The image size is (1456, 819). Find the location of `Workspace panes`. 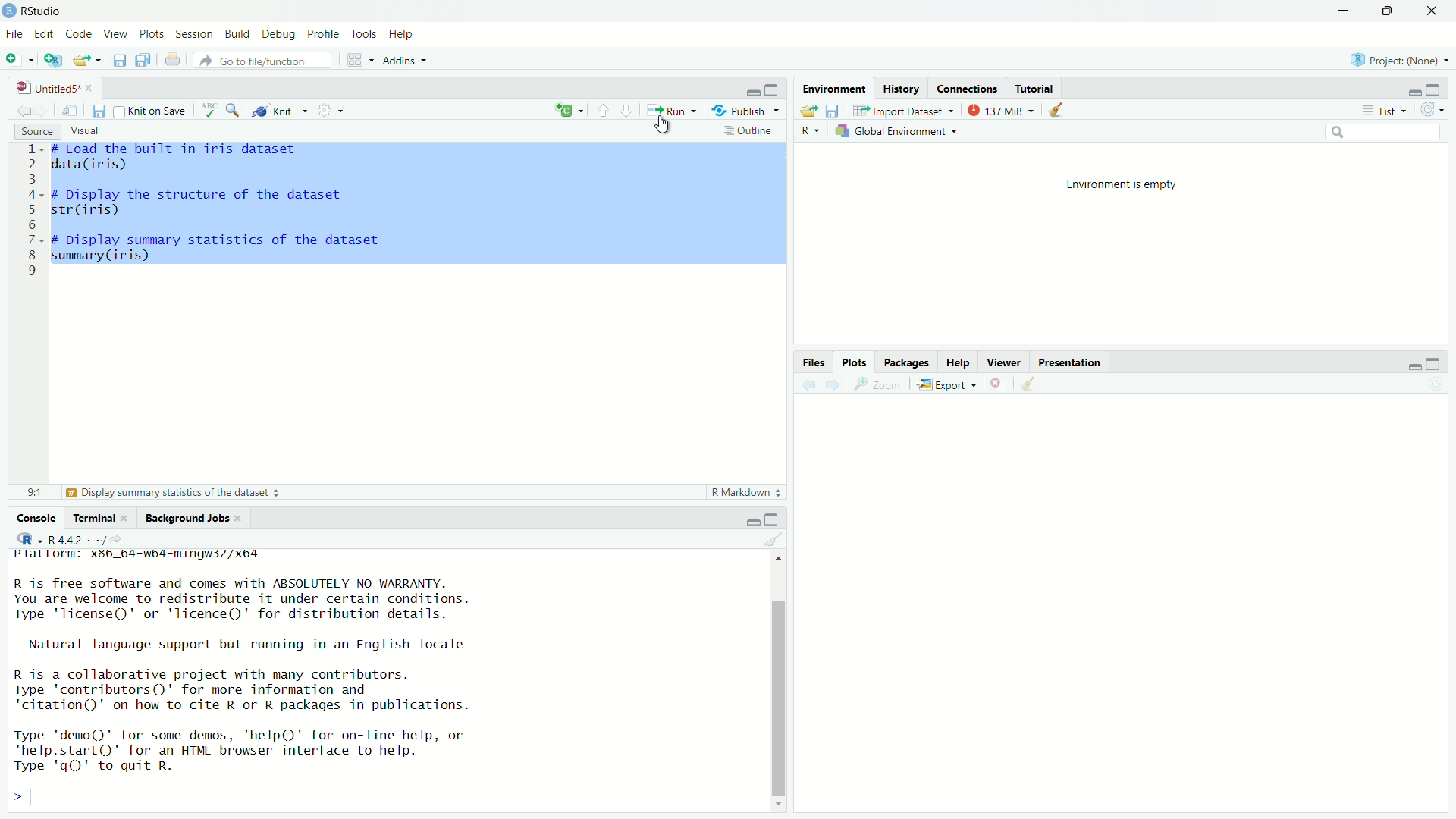

Workspace panes is located at coordinates (359, 60).